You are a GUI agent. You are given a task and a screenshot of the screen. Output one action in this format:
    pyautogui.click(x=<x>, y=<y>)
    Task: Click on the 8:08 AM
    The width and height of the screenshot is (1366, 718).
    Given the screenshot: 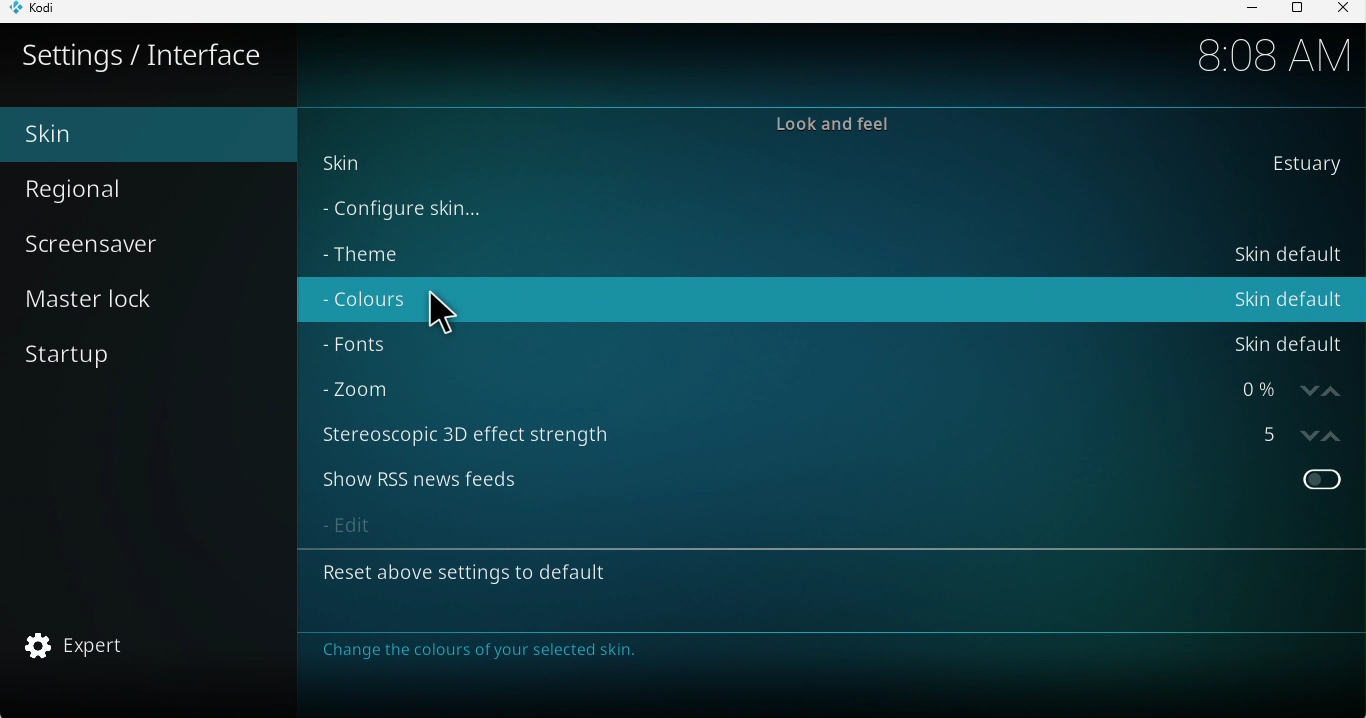 What is the action you would take?
    pyautogui.click(x=1260, y=53)
    